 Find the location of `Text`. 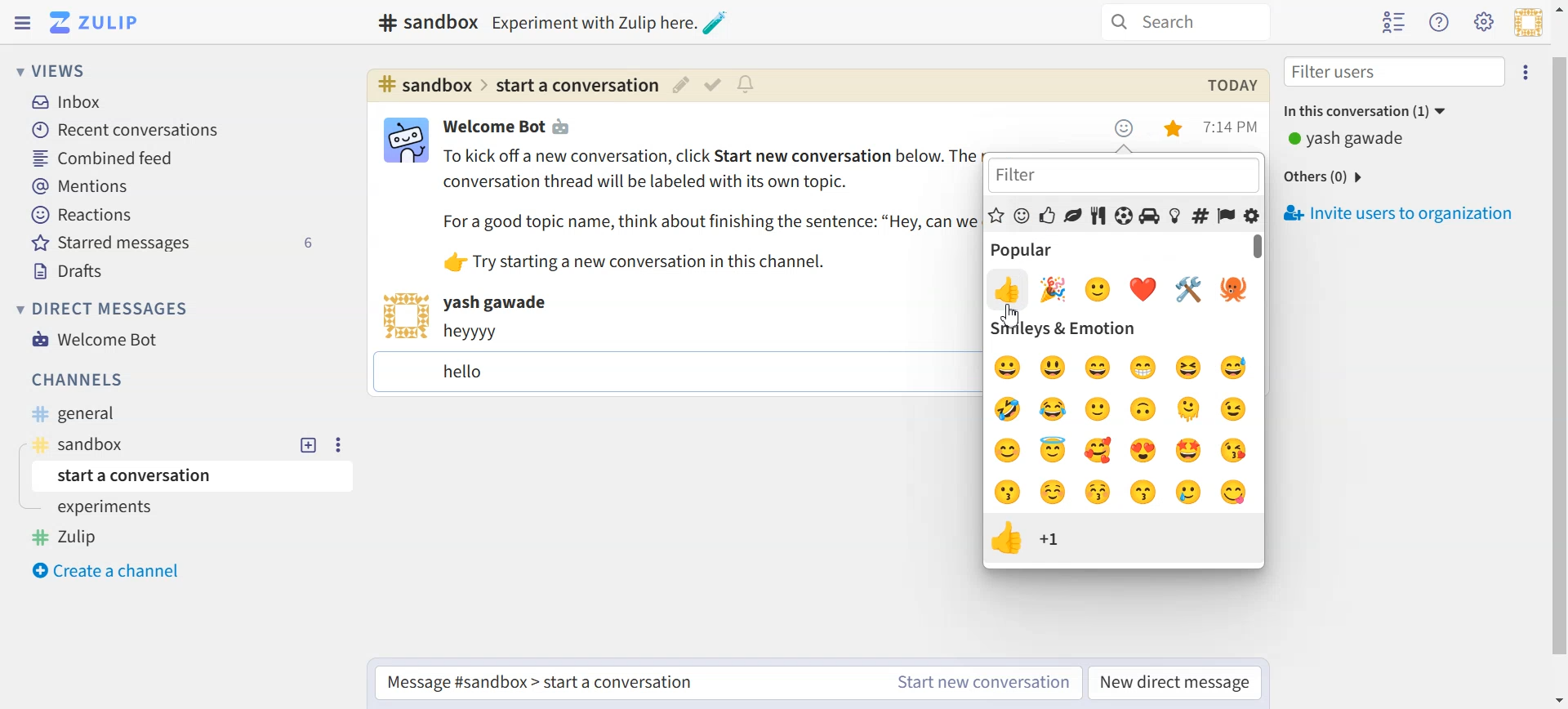

Text is located at coordinates (510, 126).